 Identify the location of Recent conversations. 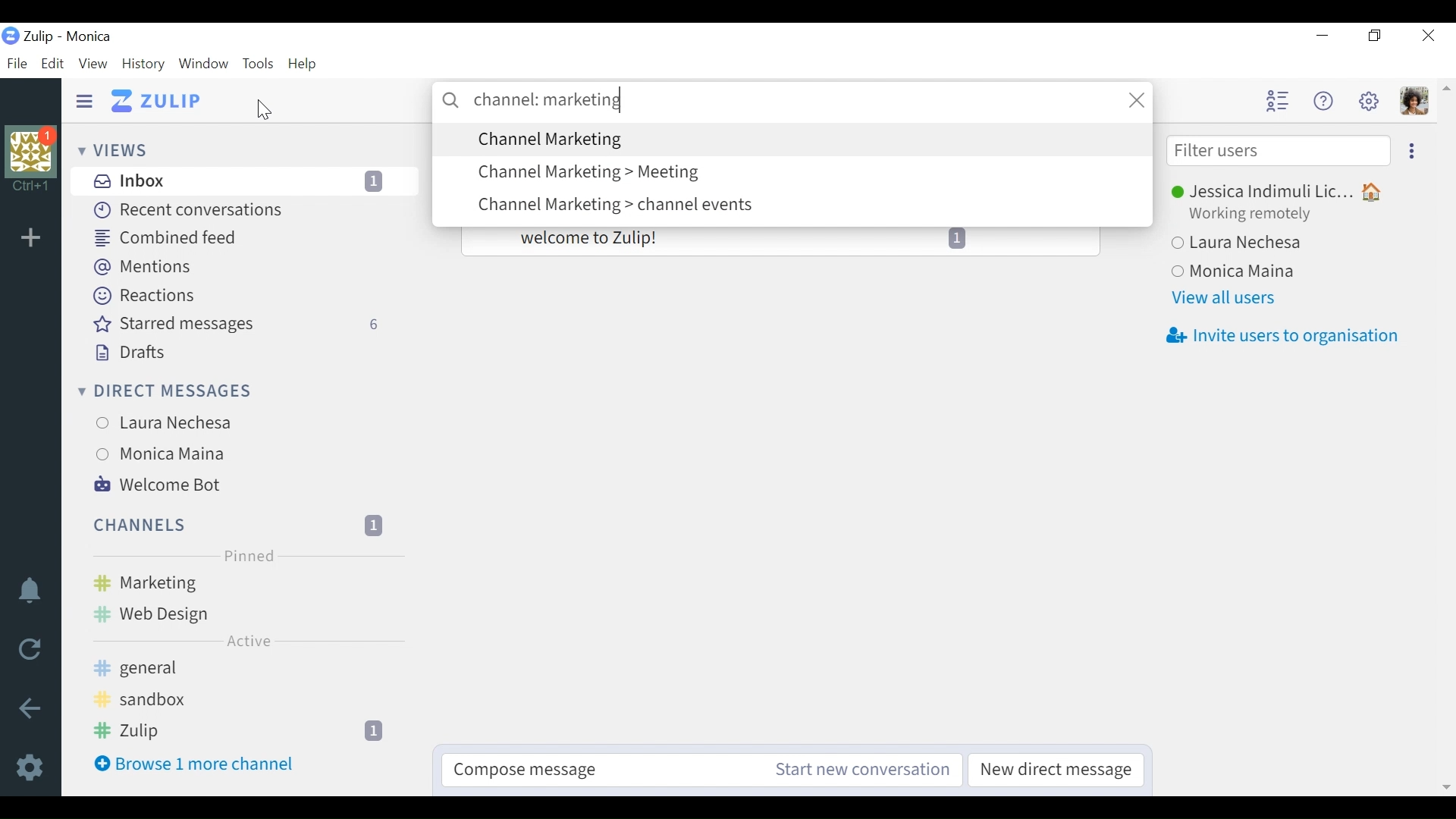
(186, 211).